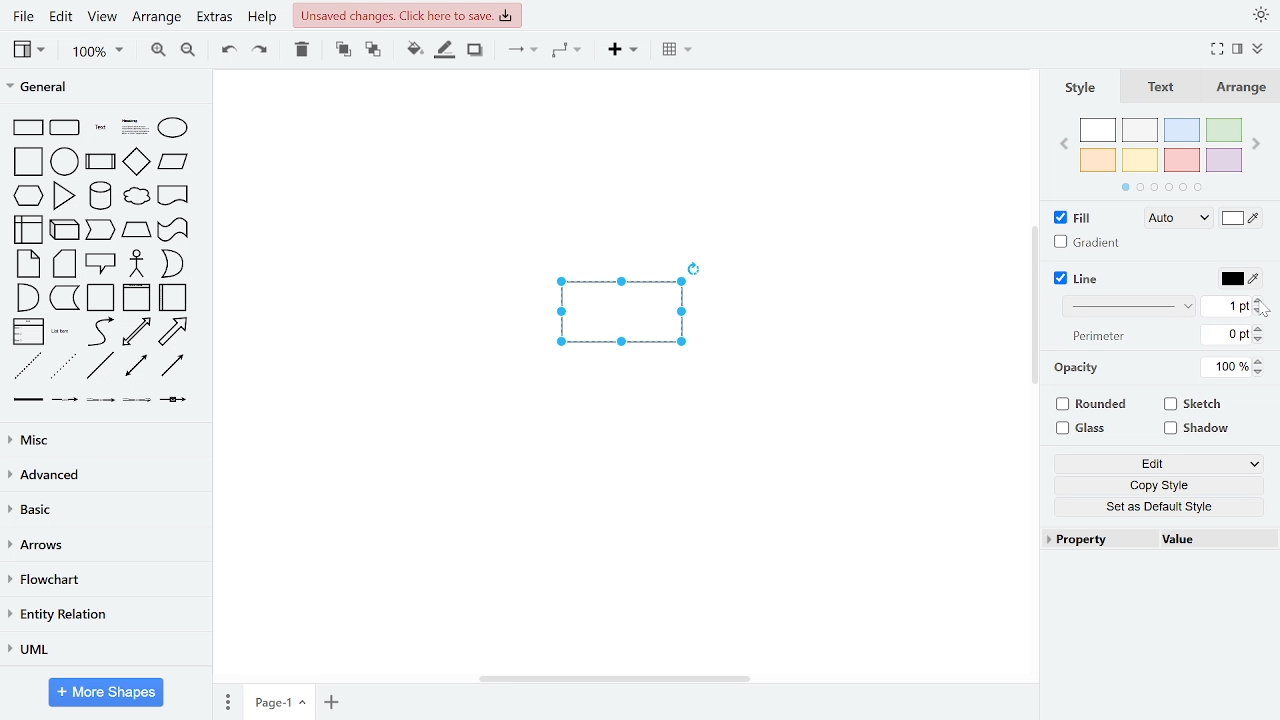 The width and height of the screenshot is (1280, 720). What do you see at coordinates (63, 195) in the screenshot?
I see `general shapes` at bounding box center [63, 195].